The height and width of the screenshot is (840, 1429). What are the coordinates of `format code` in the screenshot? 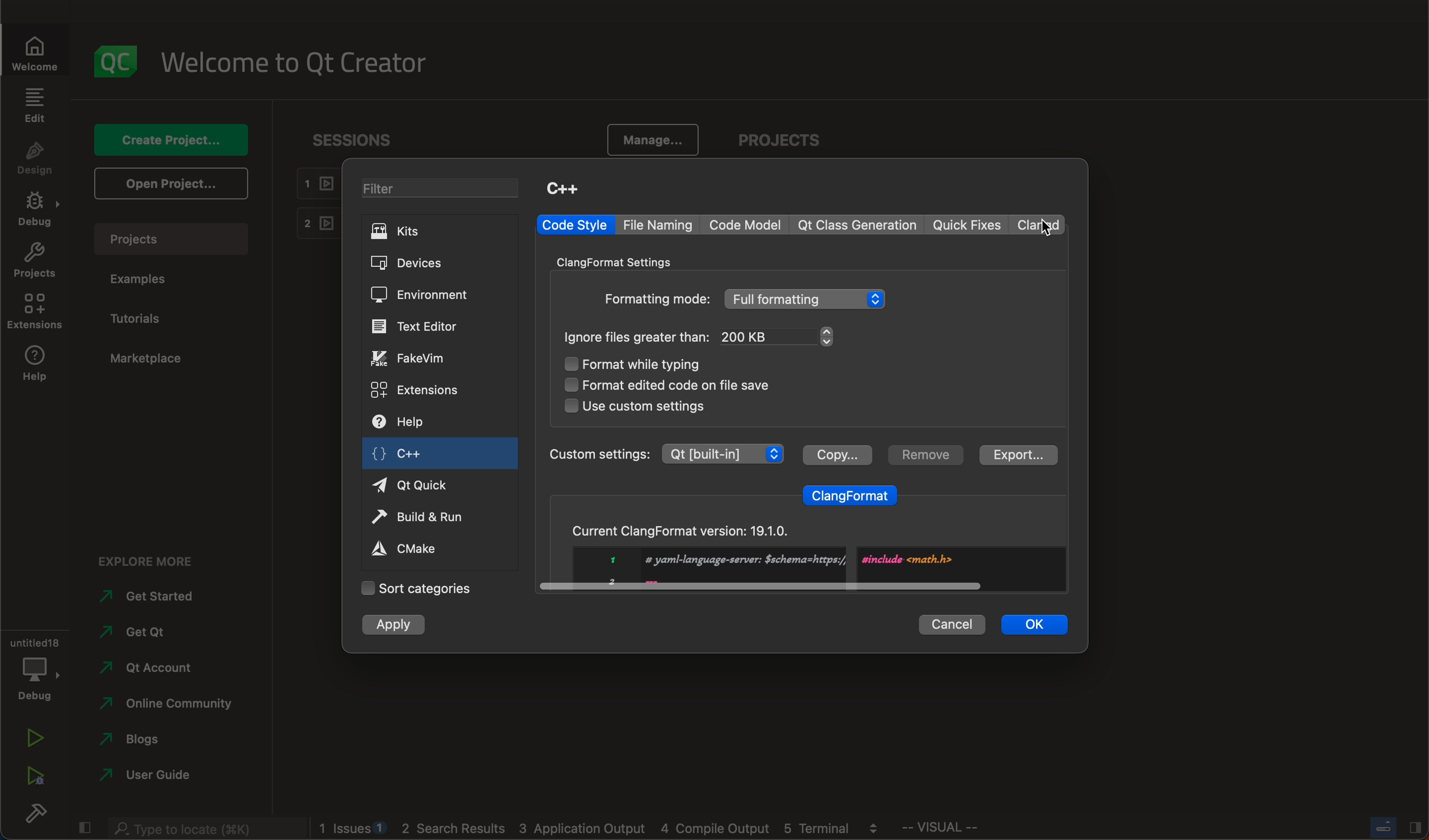 It's located at (663, 386).